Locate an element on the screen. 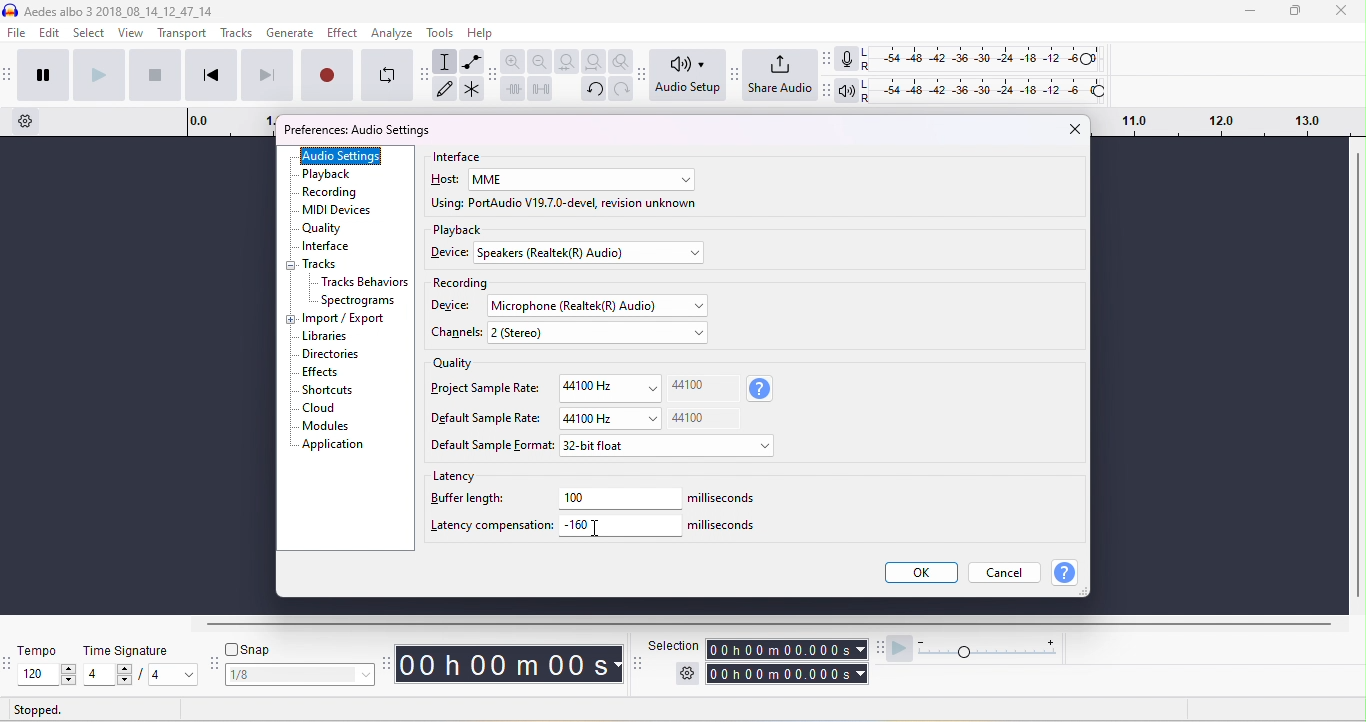 The width and height of the screenshot is (1366, 722). trim outside slection is located at coordinates (516, 92).